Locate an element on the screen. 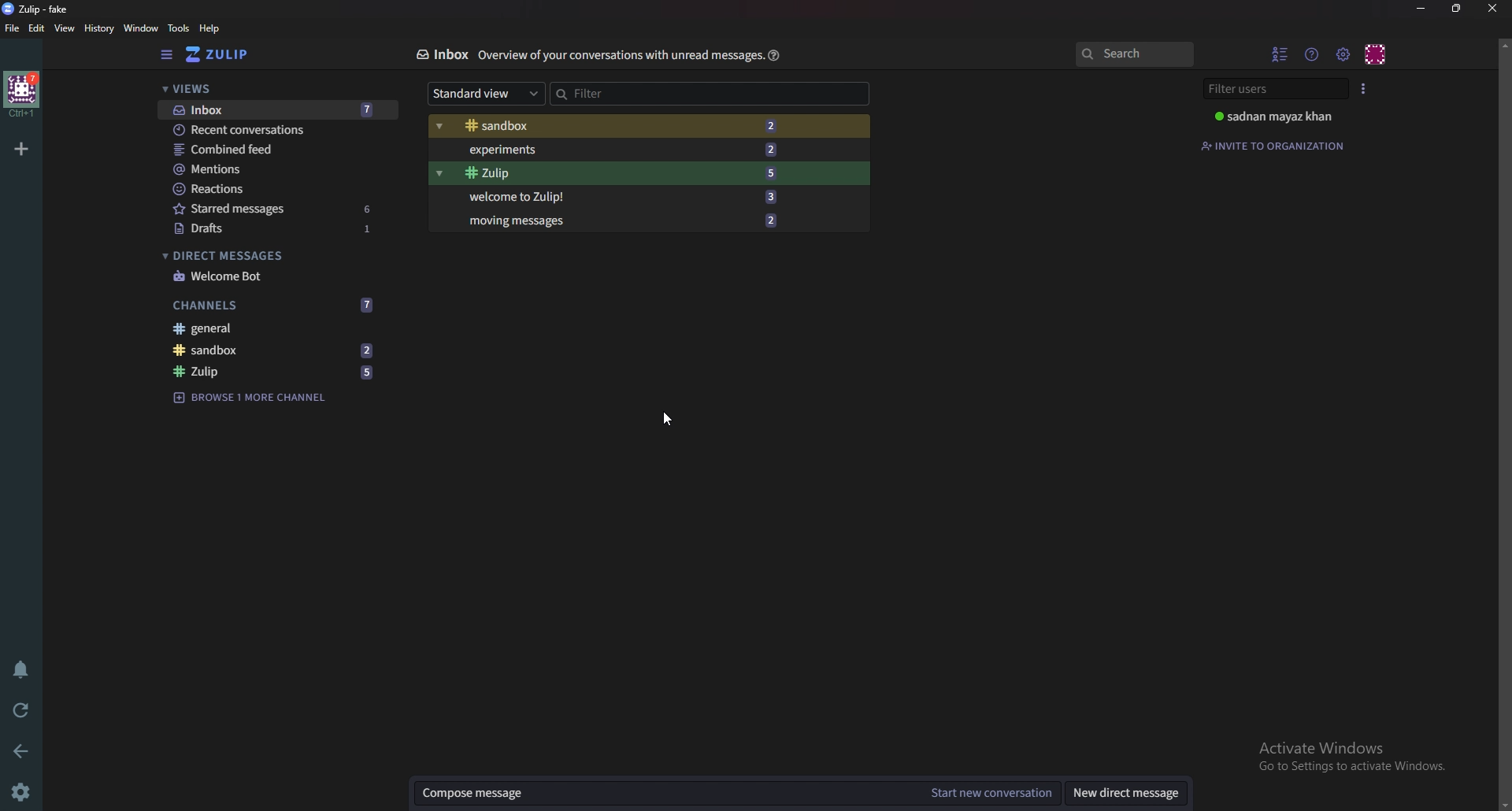  Channels is located at coordinates (241, 306).